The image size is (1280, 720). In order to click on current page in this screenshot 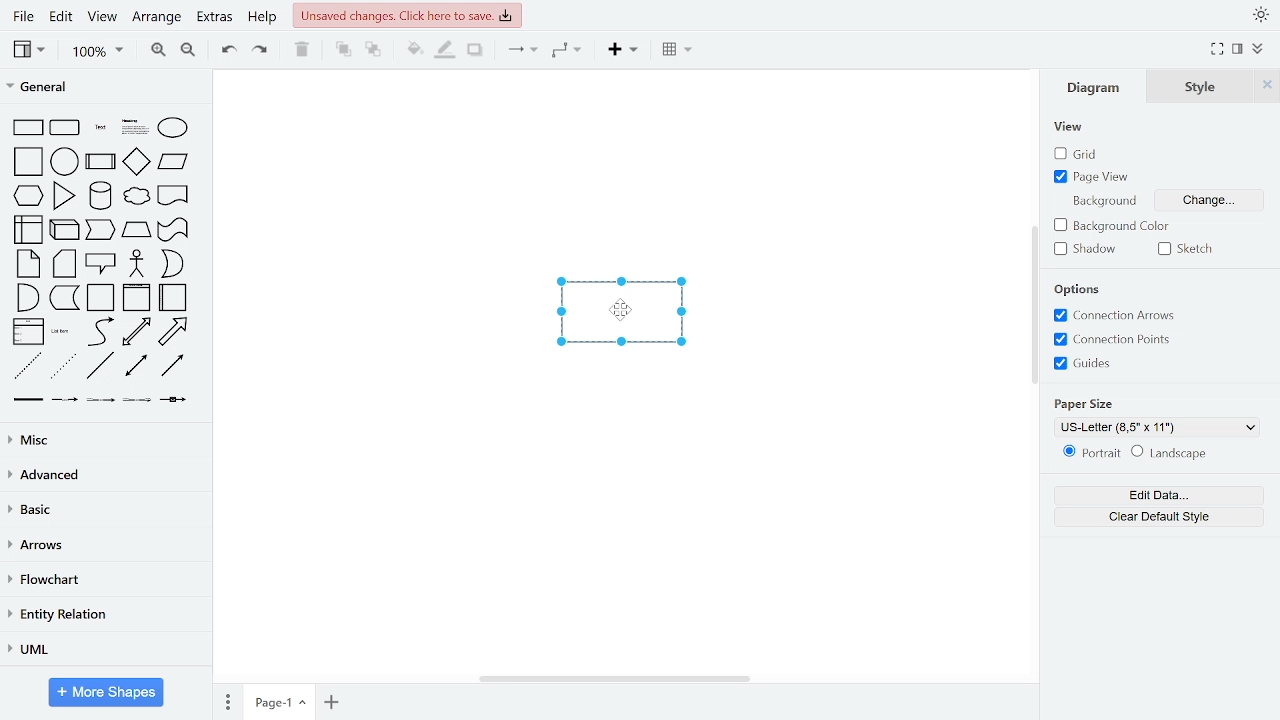, I will do `click(277, 703)`.